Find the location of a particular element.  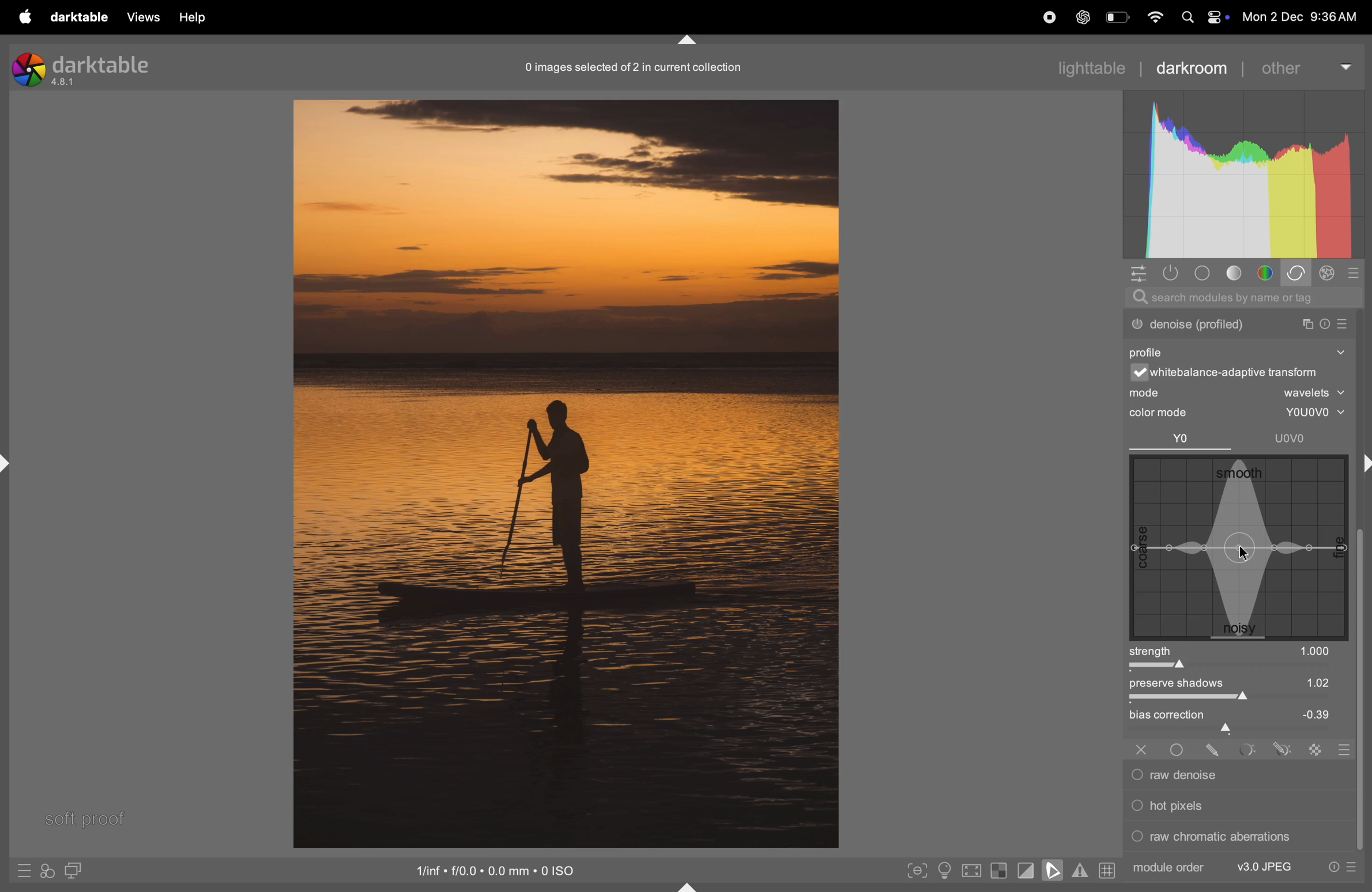

toggle clipping indication is located at coordinates (1024, 872).